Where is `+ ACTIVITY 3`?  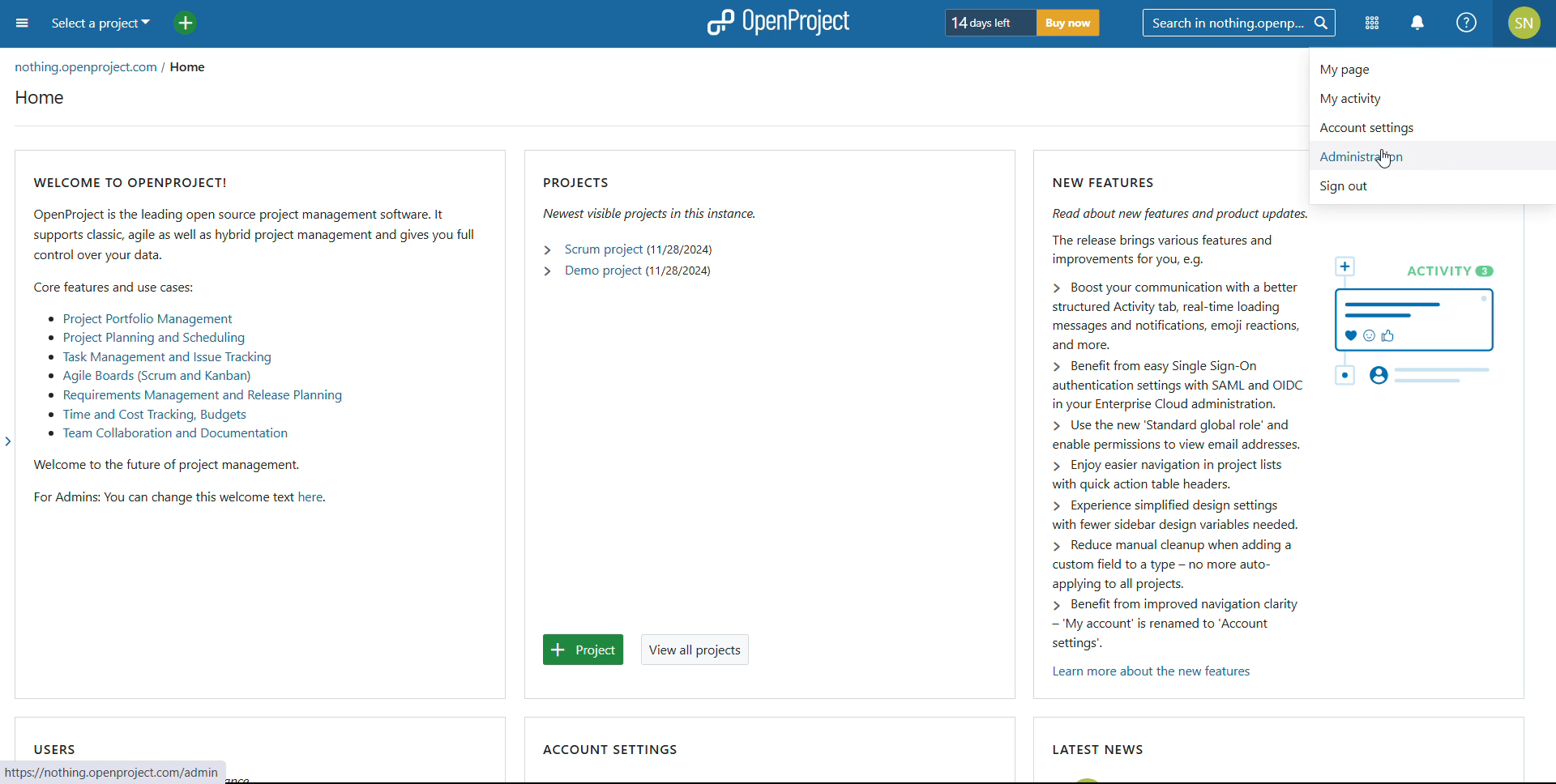
+ ACTIVITY 3 is located at coordinates (1423, 322).